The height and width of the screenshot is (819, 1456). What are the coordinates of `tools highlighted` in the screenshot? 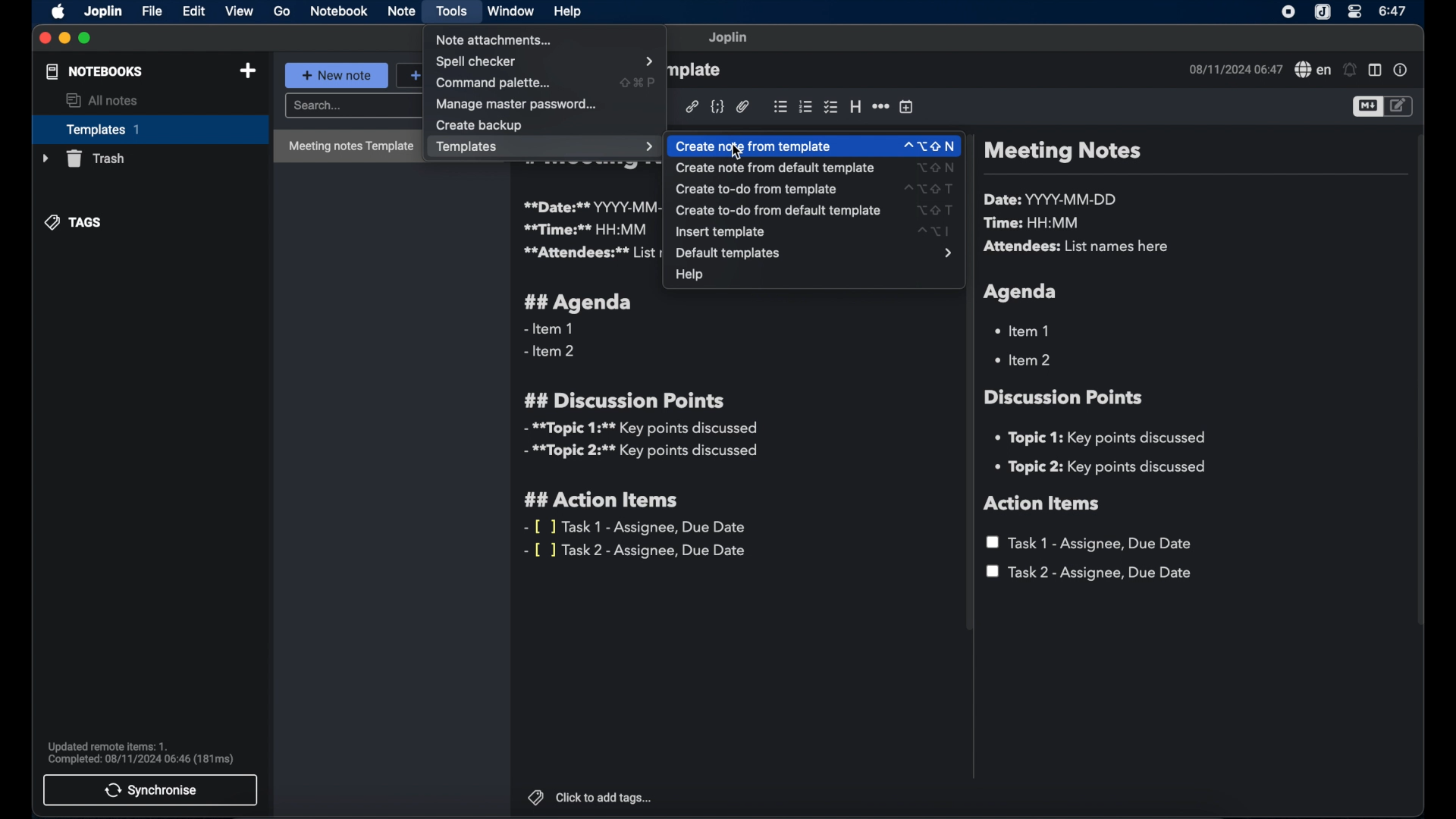 It's located at (453, 12).